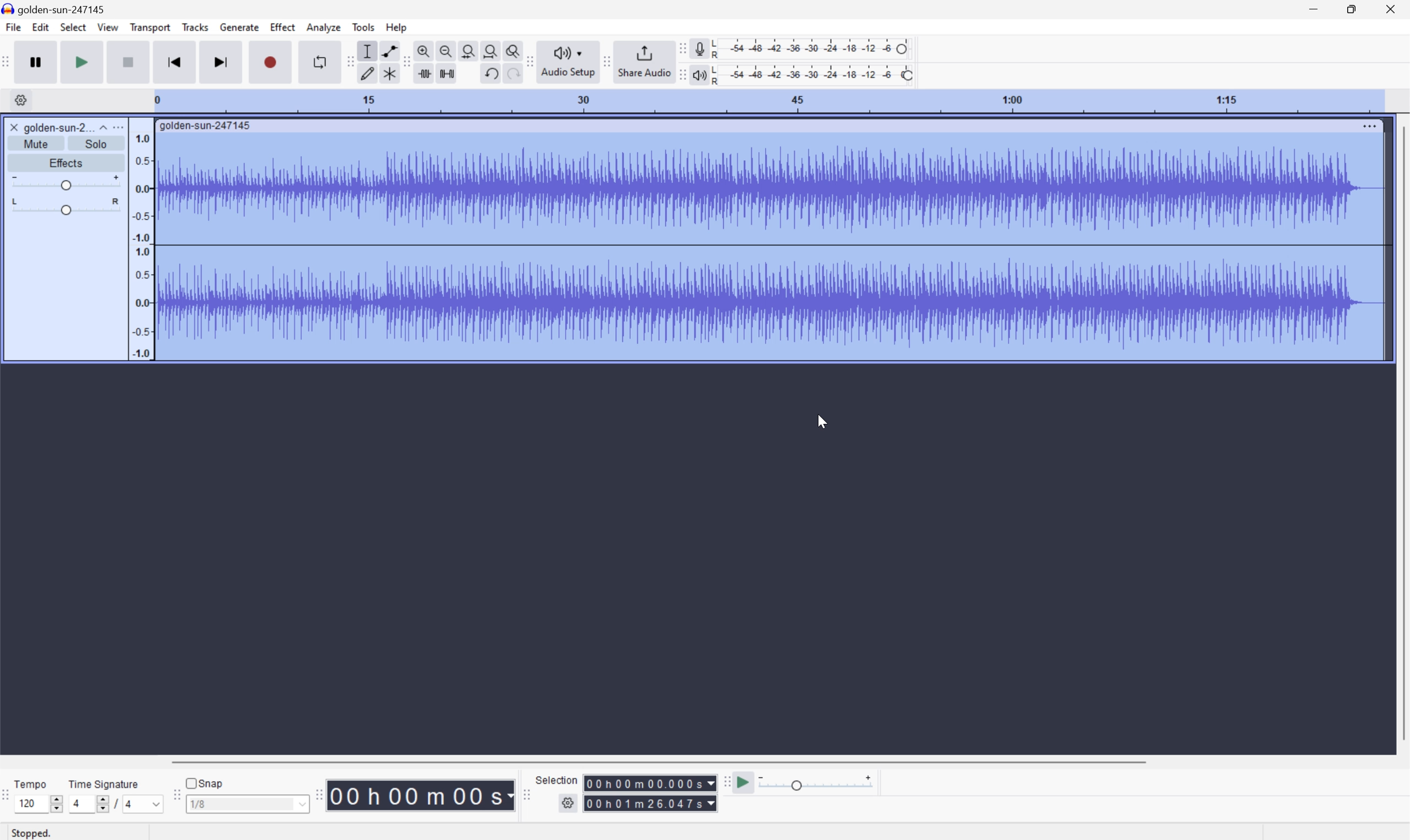 This screenshot has width=1410, height=840. I want to click on Generate, so click(241, 28).